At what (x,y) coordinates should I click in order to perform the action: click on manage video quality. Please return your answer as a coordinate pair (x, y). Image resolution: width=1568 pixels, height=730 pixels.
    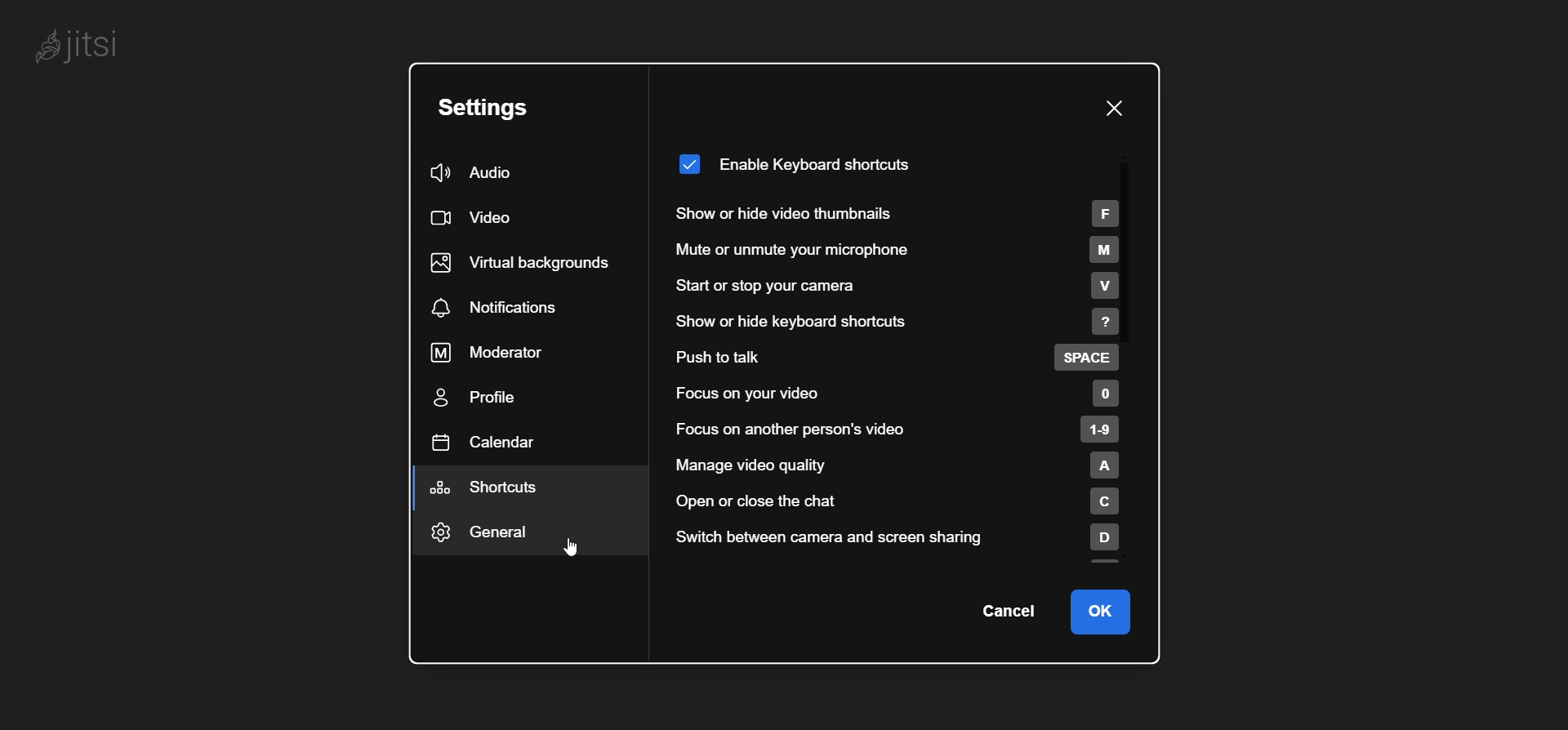
    Looking at the image, I should click on (907, 465).